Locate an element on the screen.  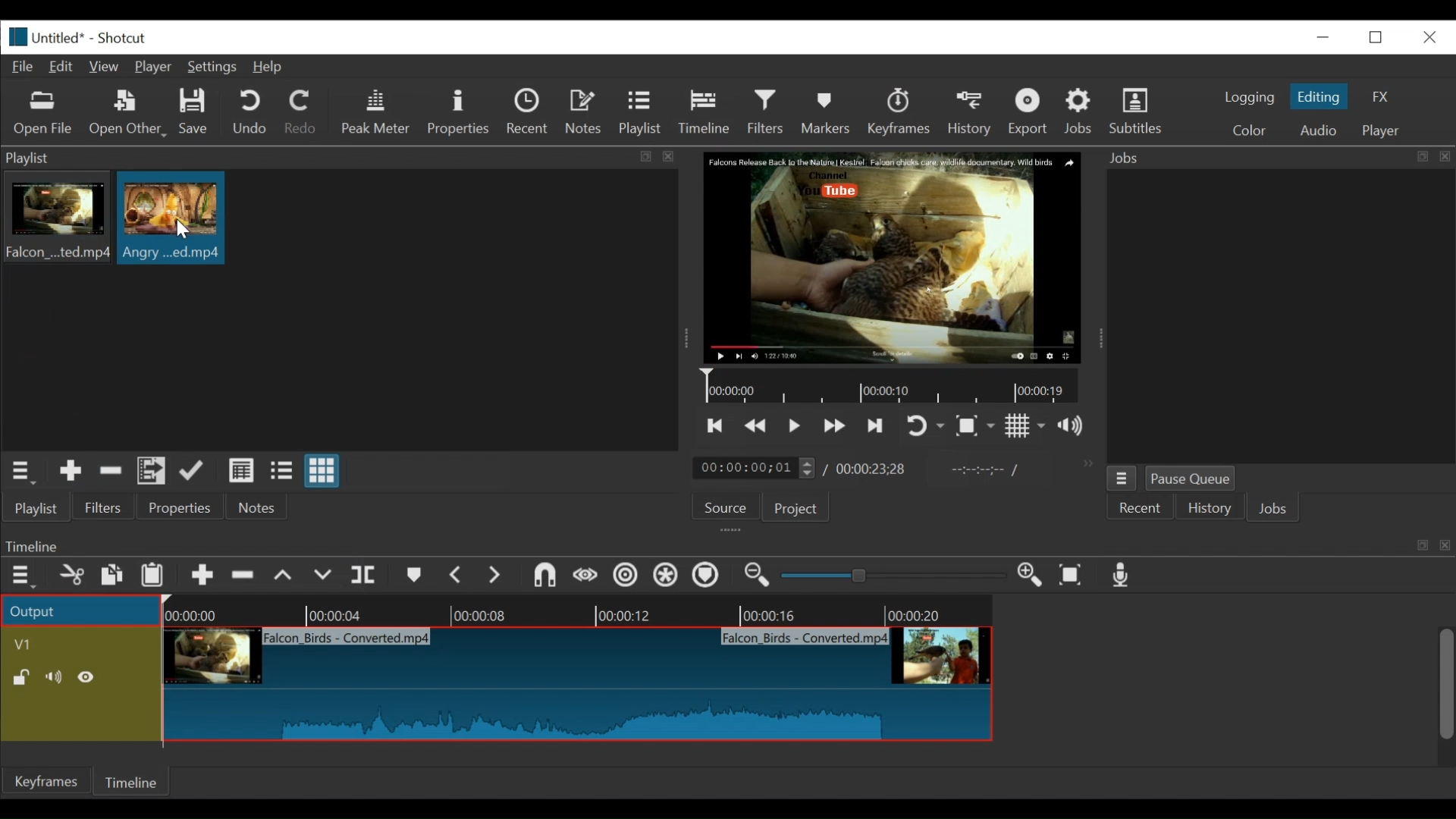
clip is located at coordinates (55, 220).